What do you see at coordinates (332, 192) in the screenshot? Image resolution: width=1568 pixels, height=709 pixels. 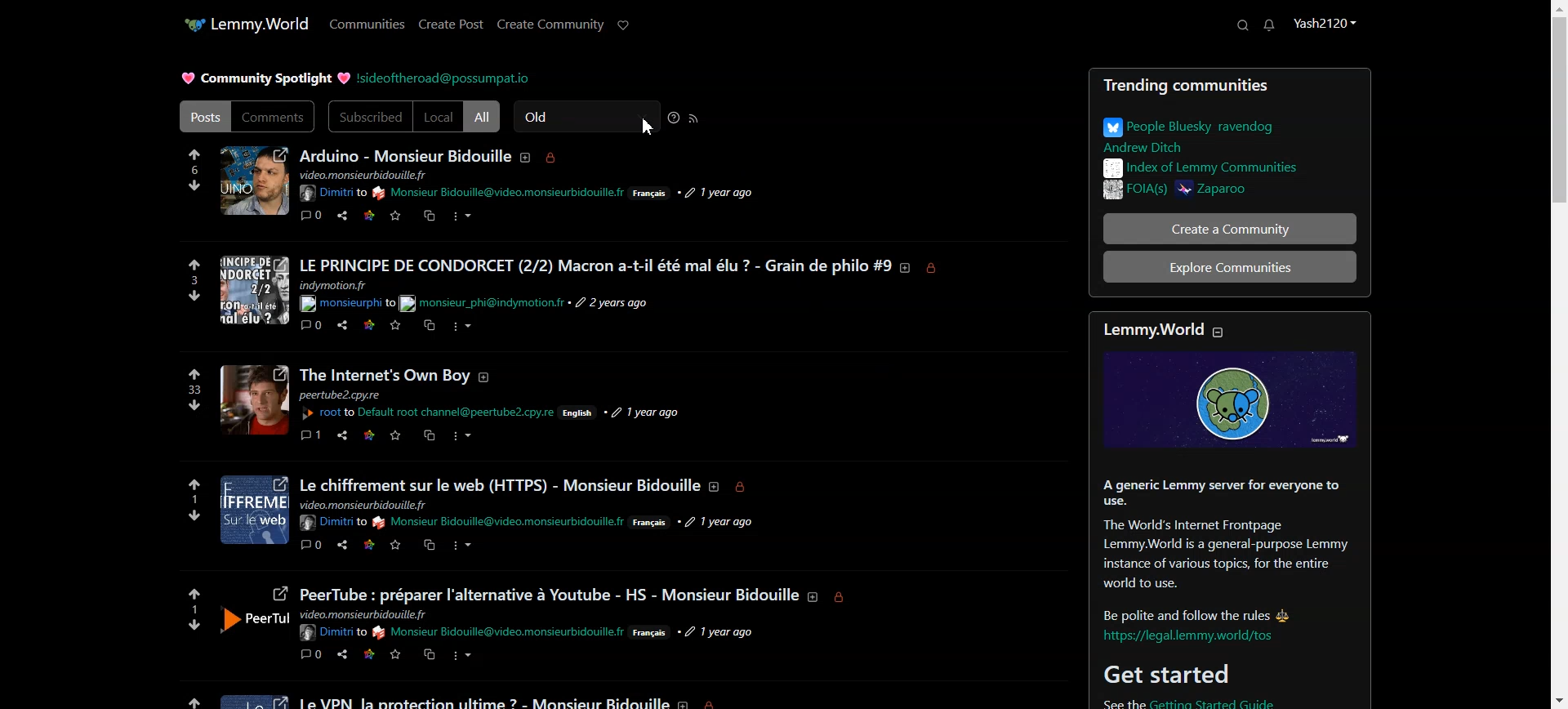 I see `Hyperlink` at bounding box center [332, 192].